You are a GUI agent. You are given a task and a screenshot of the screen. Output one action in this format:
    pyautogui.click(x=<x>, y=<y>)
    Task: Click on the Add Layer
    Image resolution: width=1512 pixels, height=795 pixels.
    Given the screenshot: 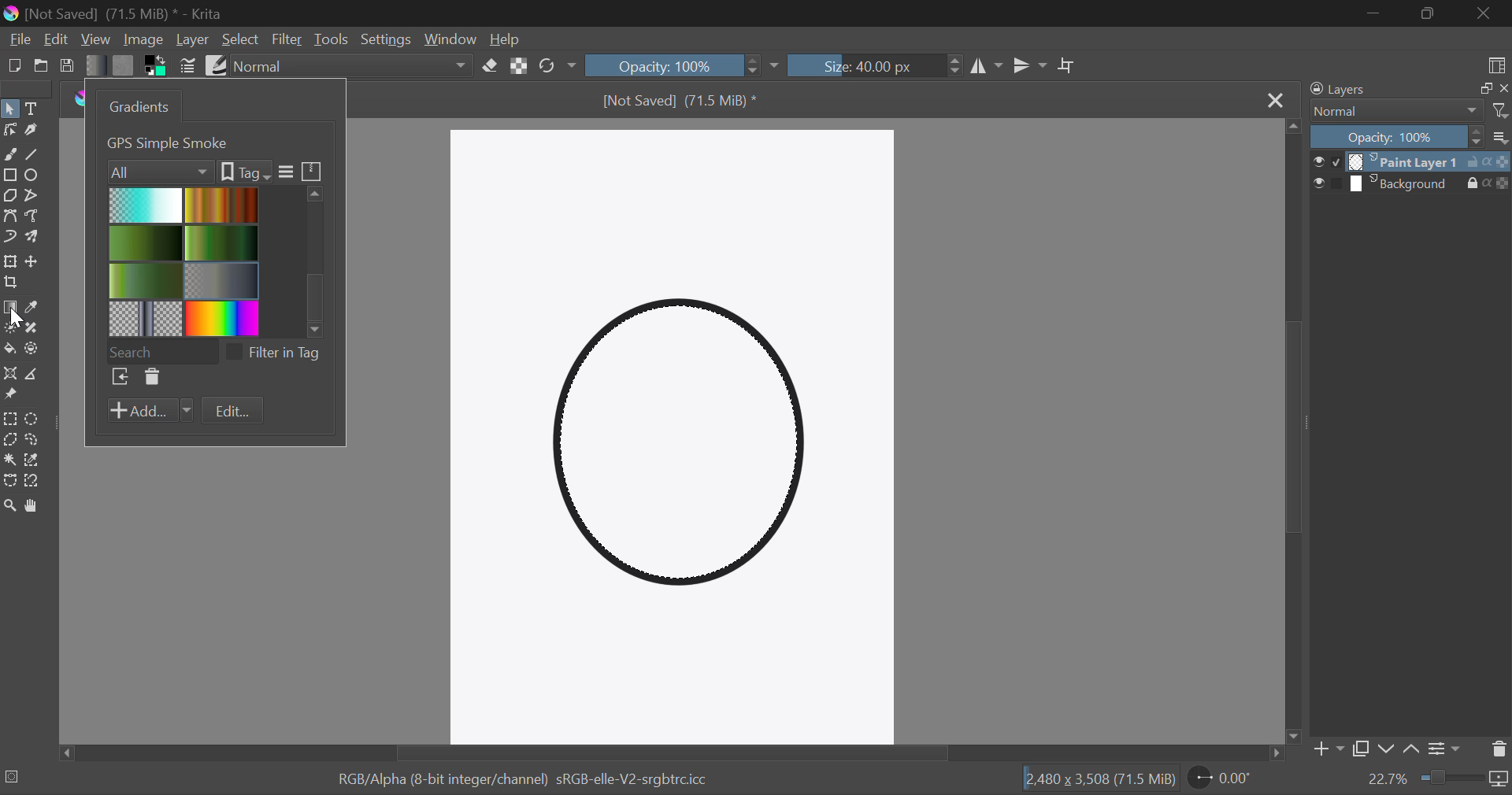 What is the action you would take?
    pyautogui.click(x=1328, y=750)
    